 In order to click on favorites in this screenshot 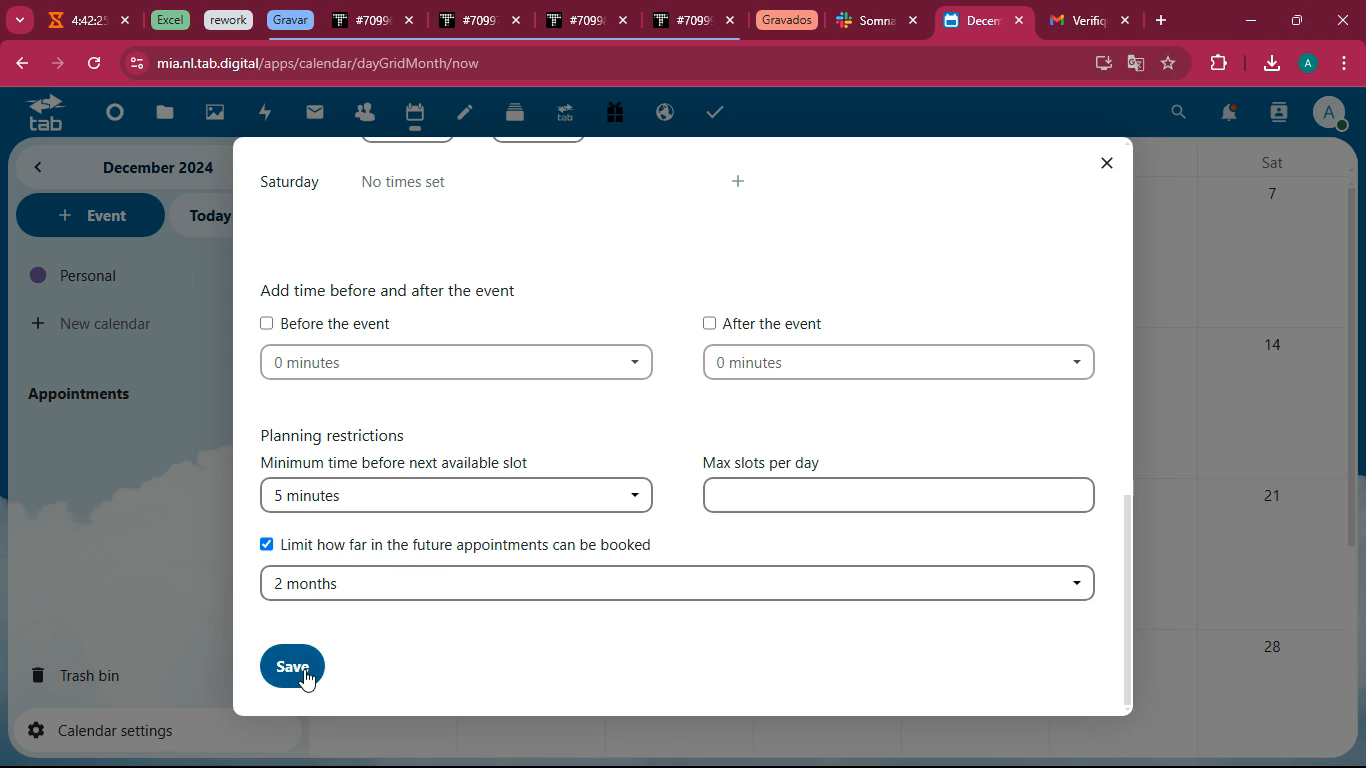, I will do `click(1170, 63)`.